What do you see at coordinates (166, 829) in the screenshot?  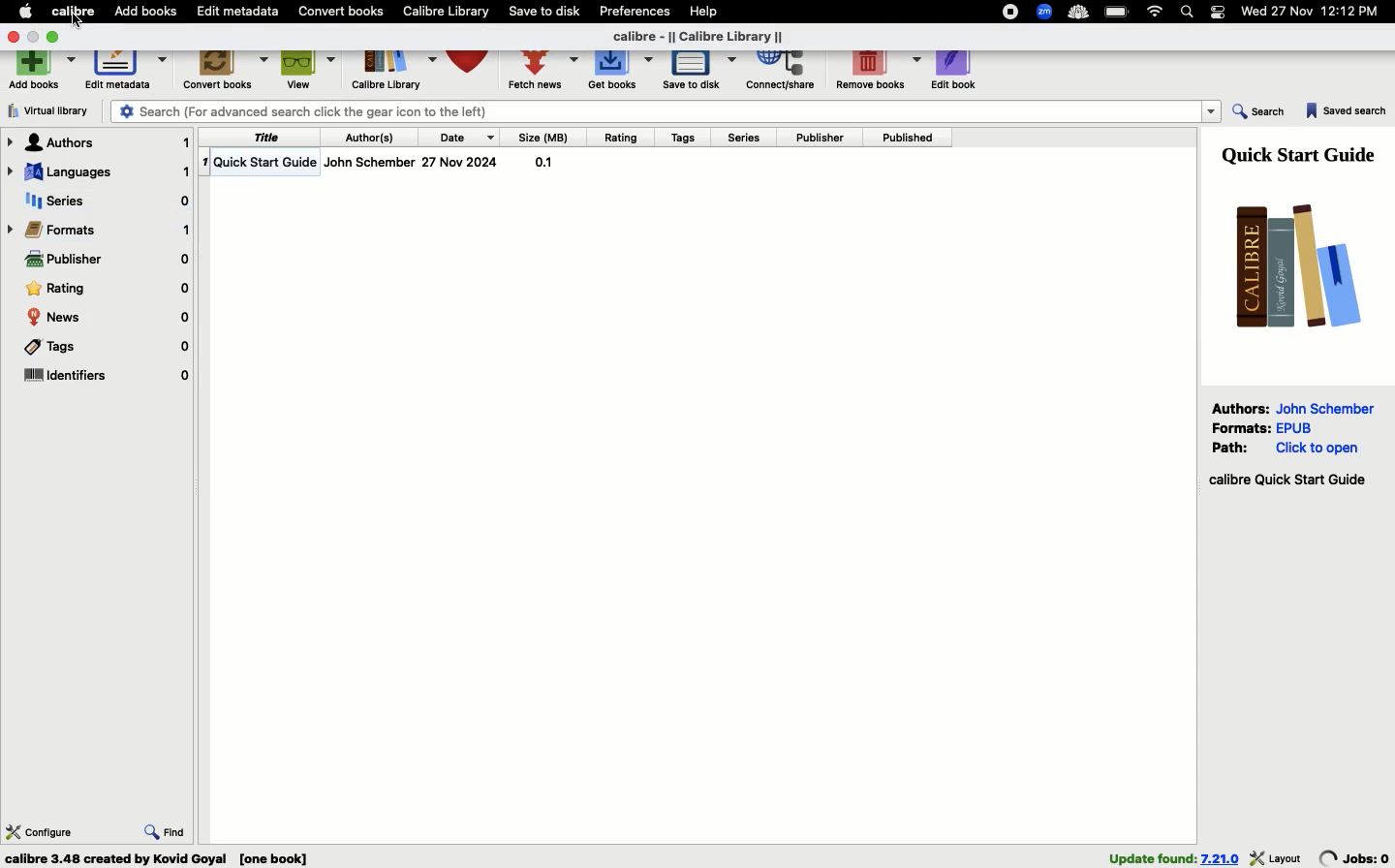 I see `Find` at bounding box center [166, 829].